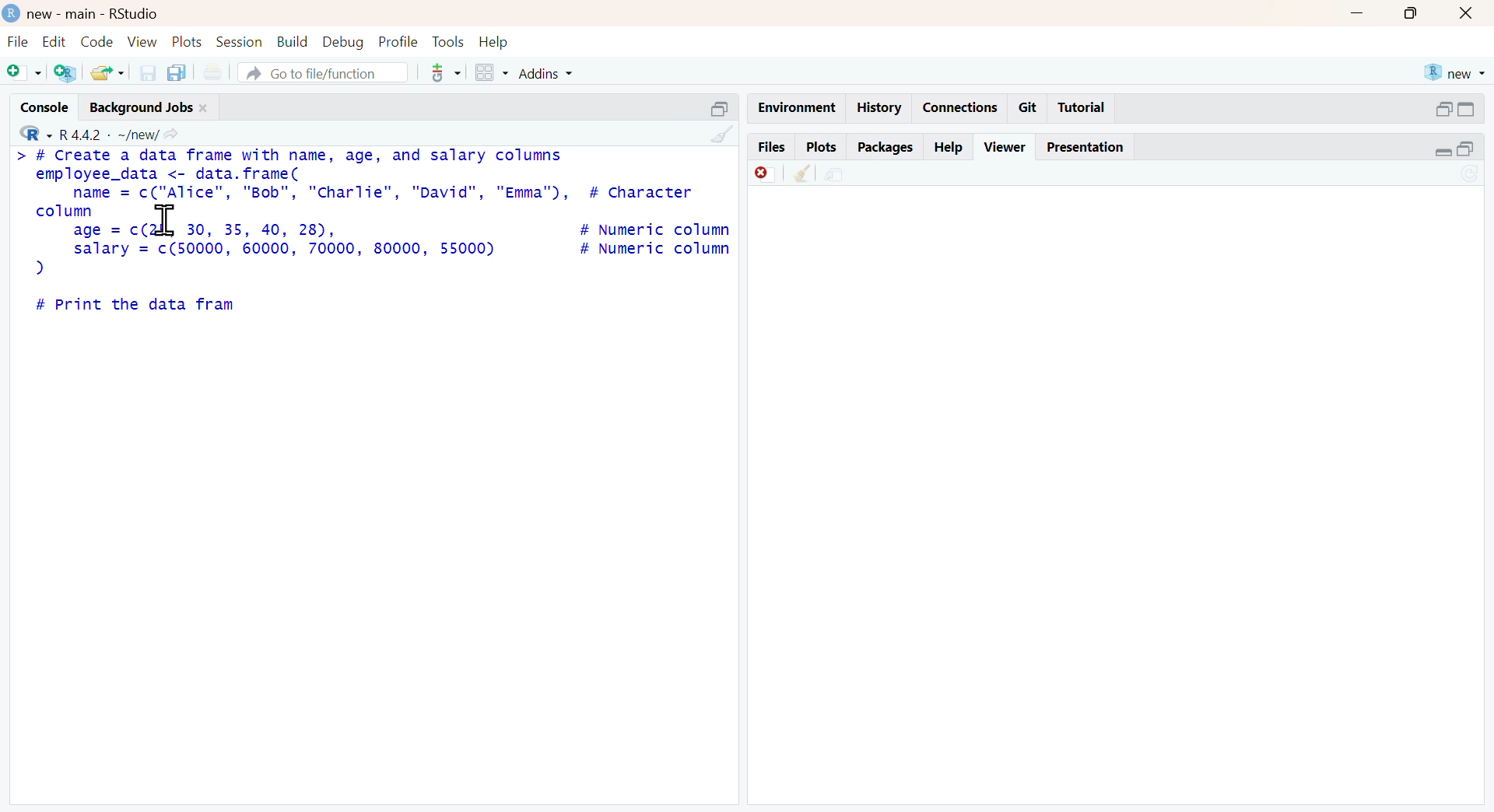 Image resolution: width=1494 pixels, height=812 pixels. What do you see at coordinates (716, 133) in the screenshot?
I see `Clear console` at bounding box center [716, 133].